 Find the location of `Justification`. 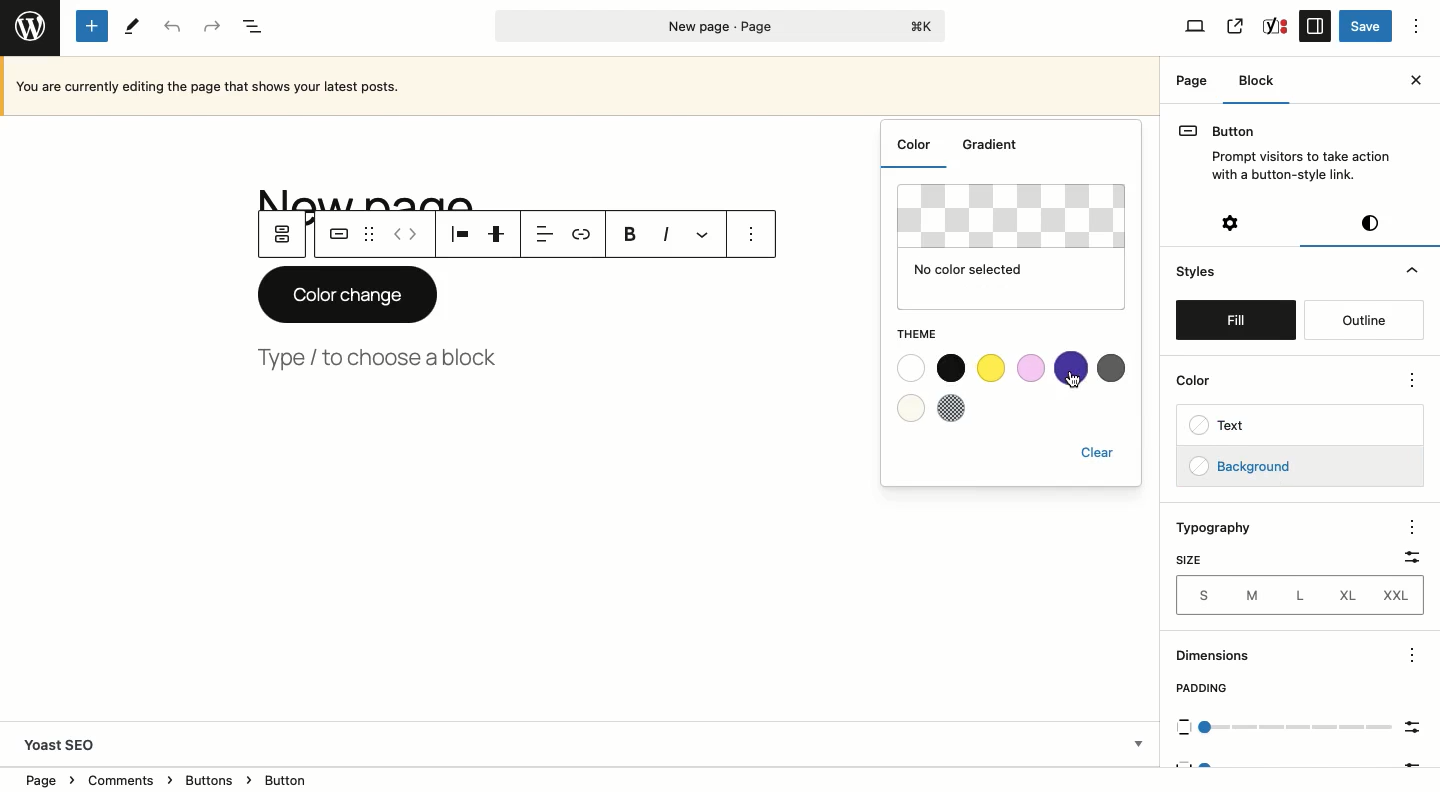

Justification is located at coordinates (497, 233).